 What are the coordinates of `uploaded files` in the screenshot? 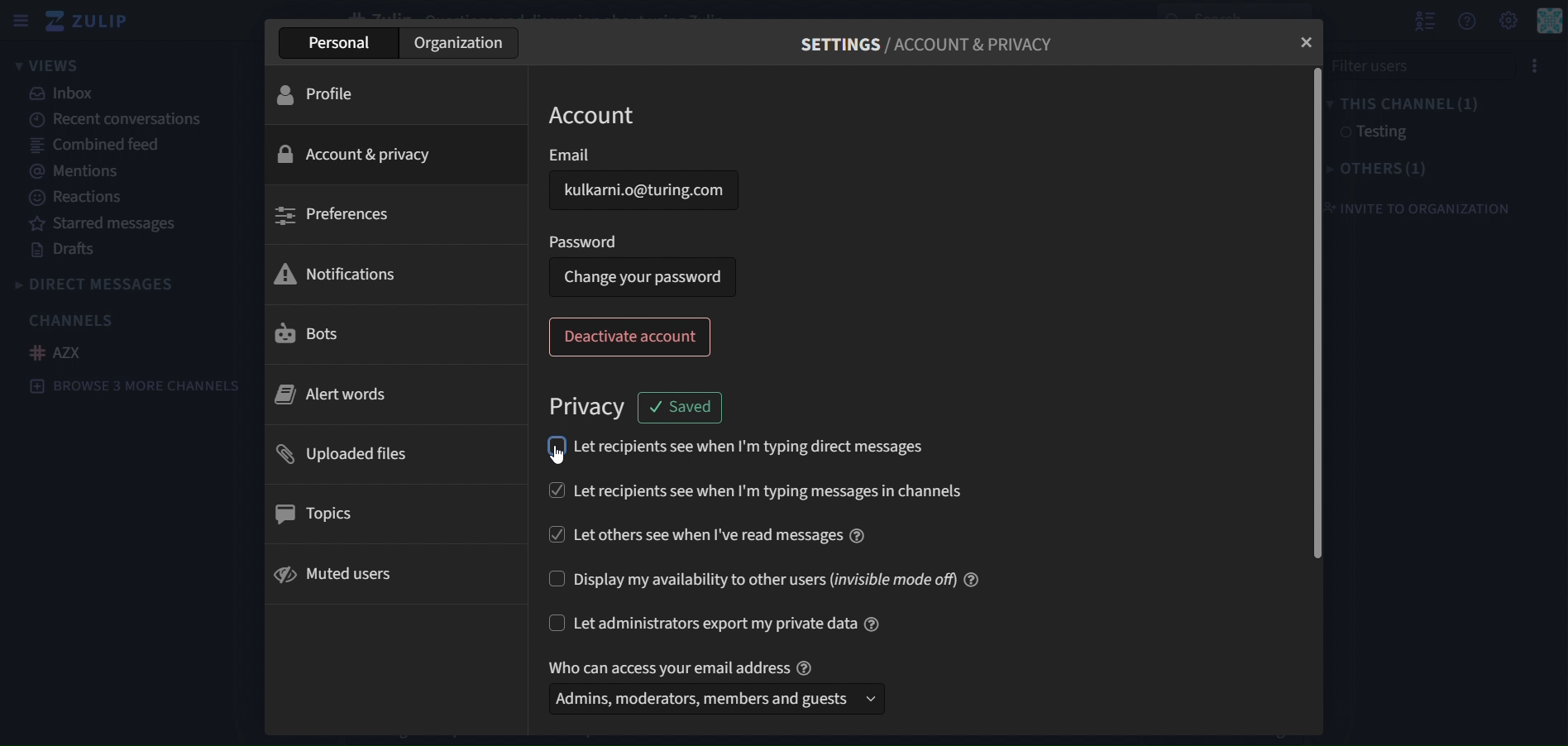 It's located at (345, 452).